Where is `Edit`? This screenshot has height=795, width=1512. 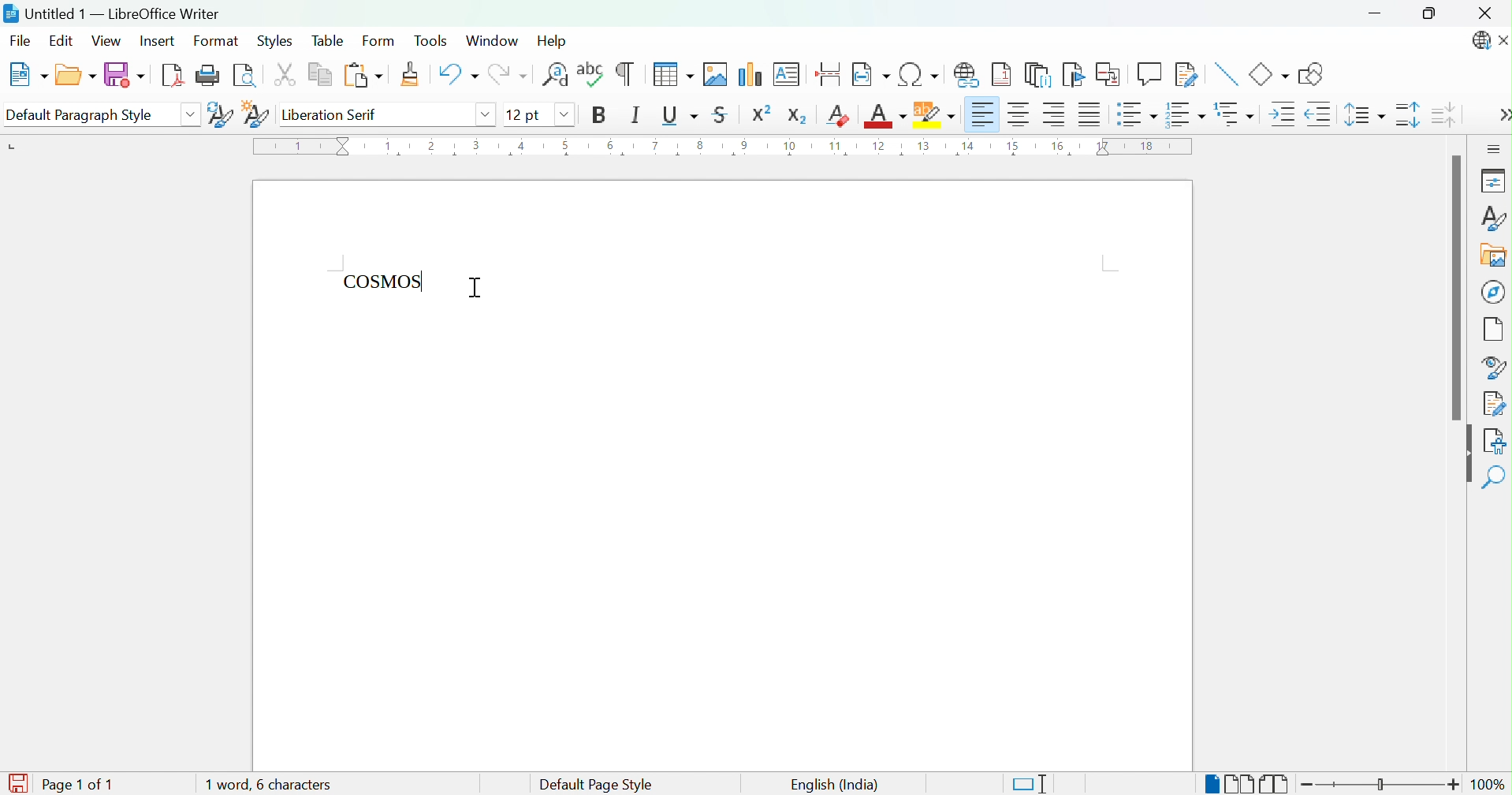 Edit is located at coordinates (61, 41).